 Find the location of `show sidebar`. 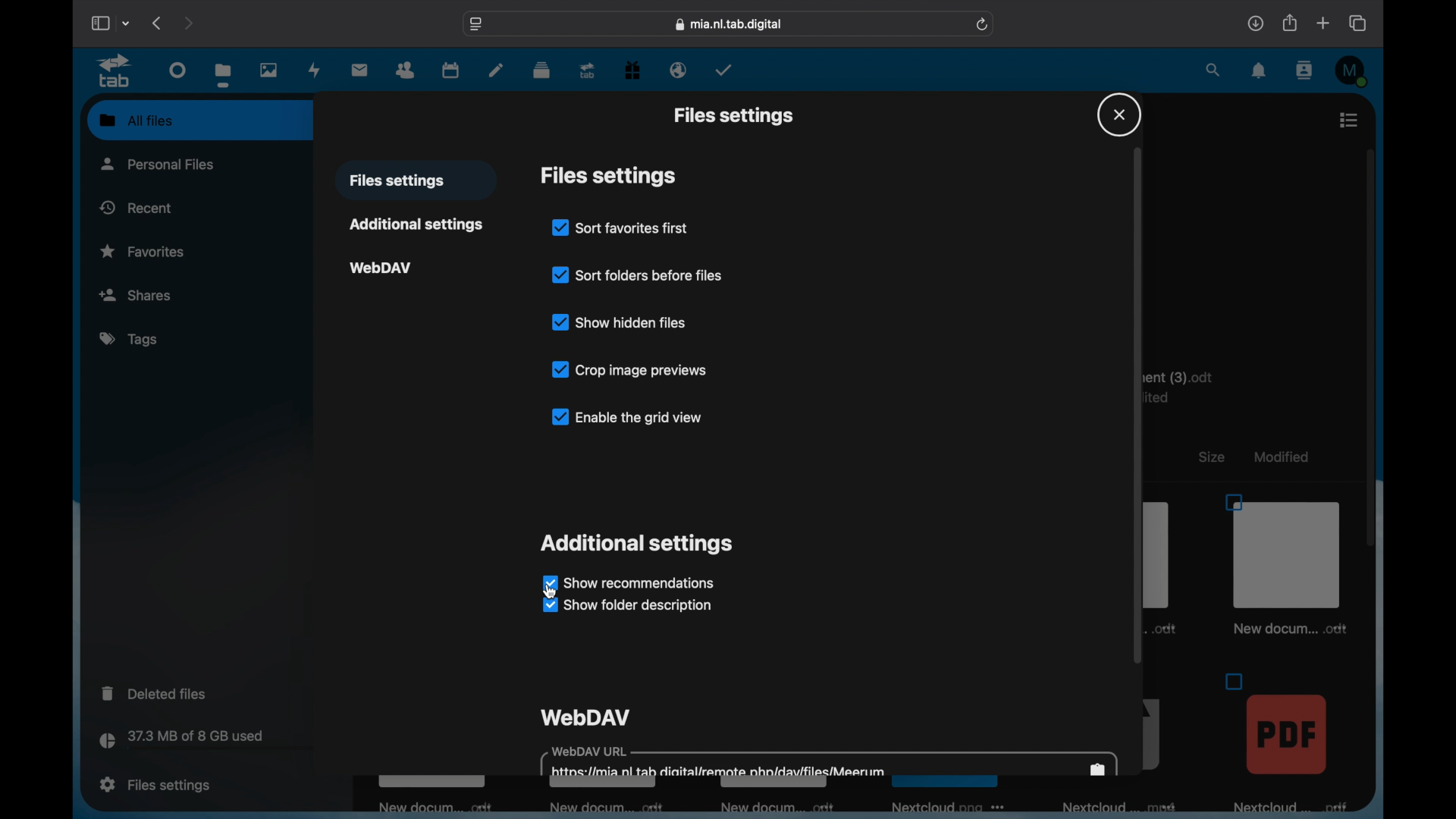

show sidebar is located at coordinates (99, 24).